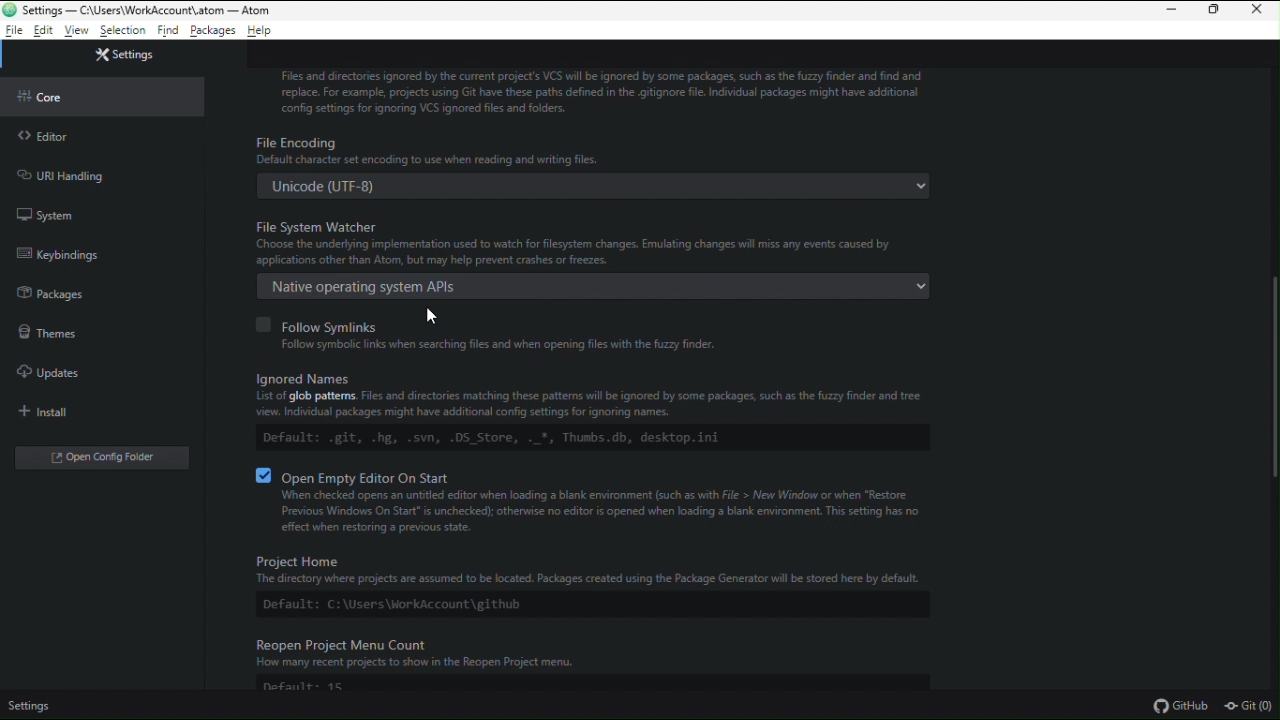 The width and height of the screenshot is (1280, 720). Describe the element at coordinates (44, 31) in the screenshot. I see `Edit` at that location.